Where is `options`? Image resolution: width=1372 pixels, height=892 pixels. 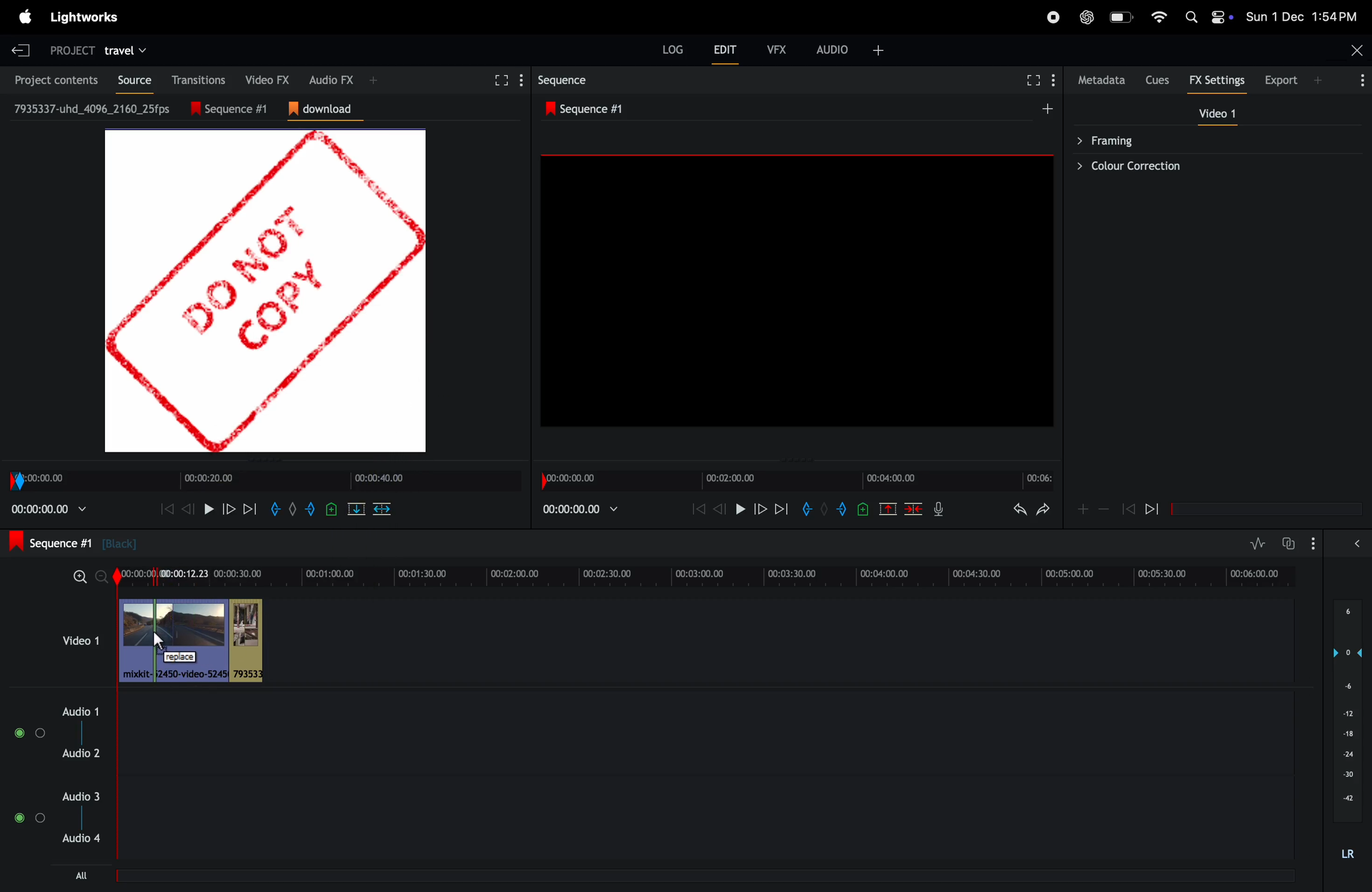
options is located at coordinates (1359, 80).